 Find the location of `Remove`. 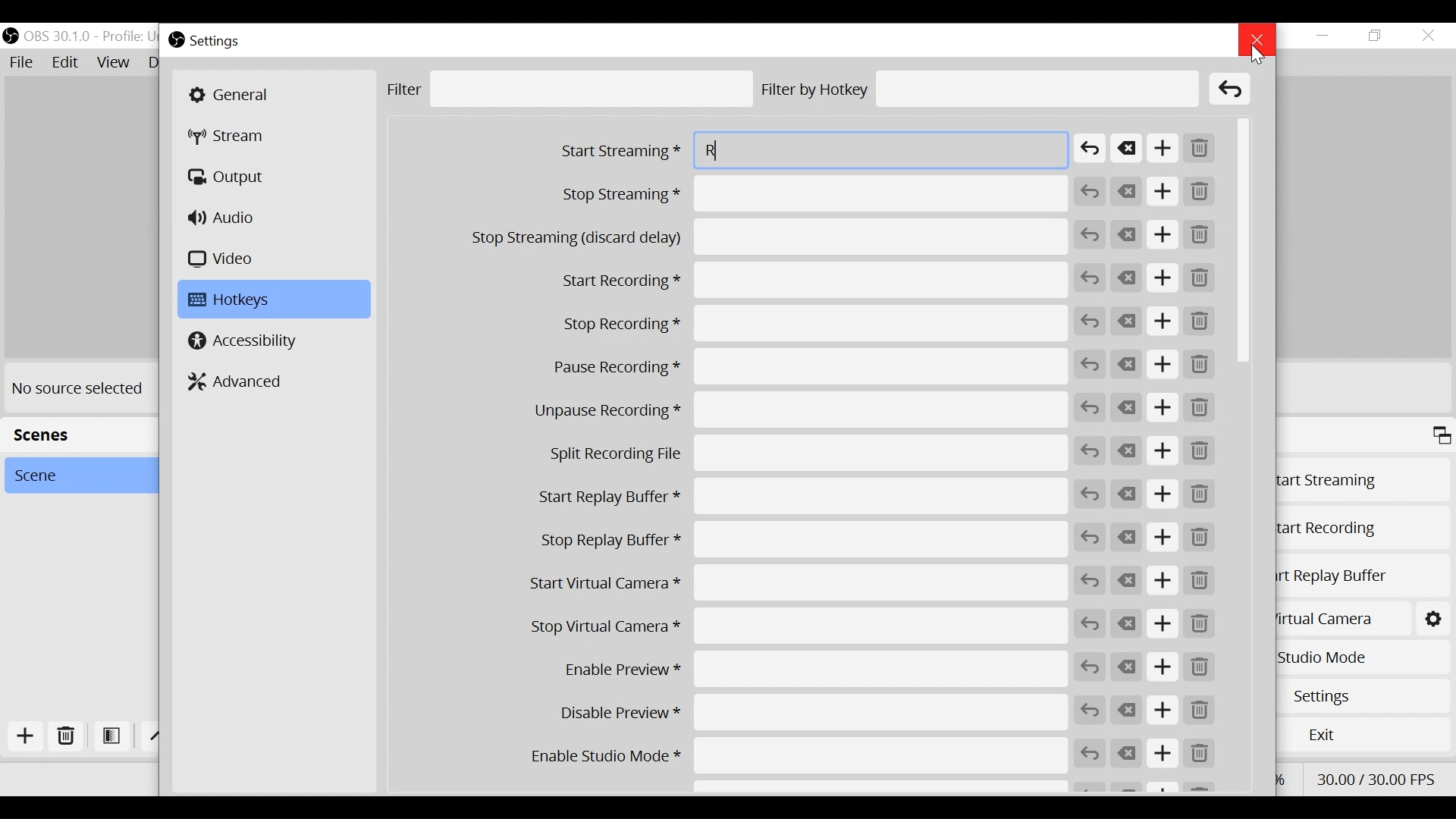

Remove is located at coordinates (1200, 539).